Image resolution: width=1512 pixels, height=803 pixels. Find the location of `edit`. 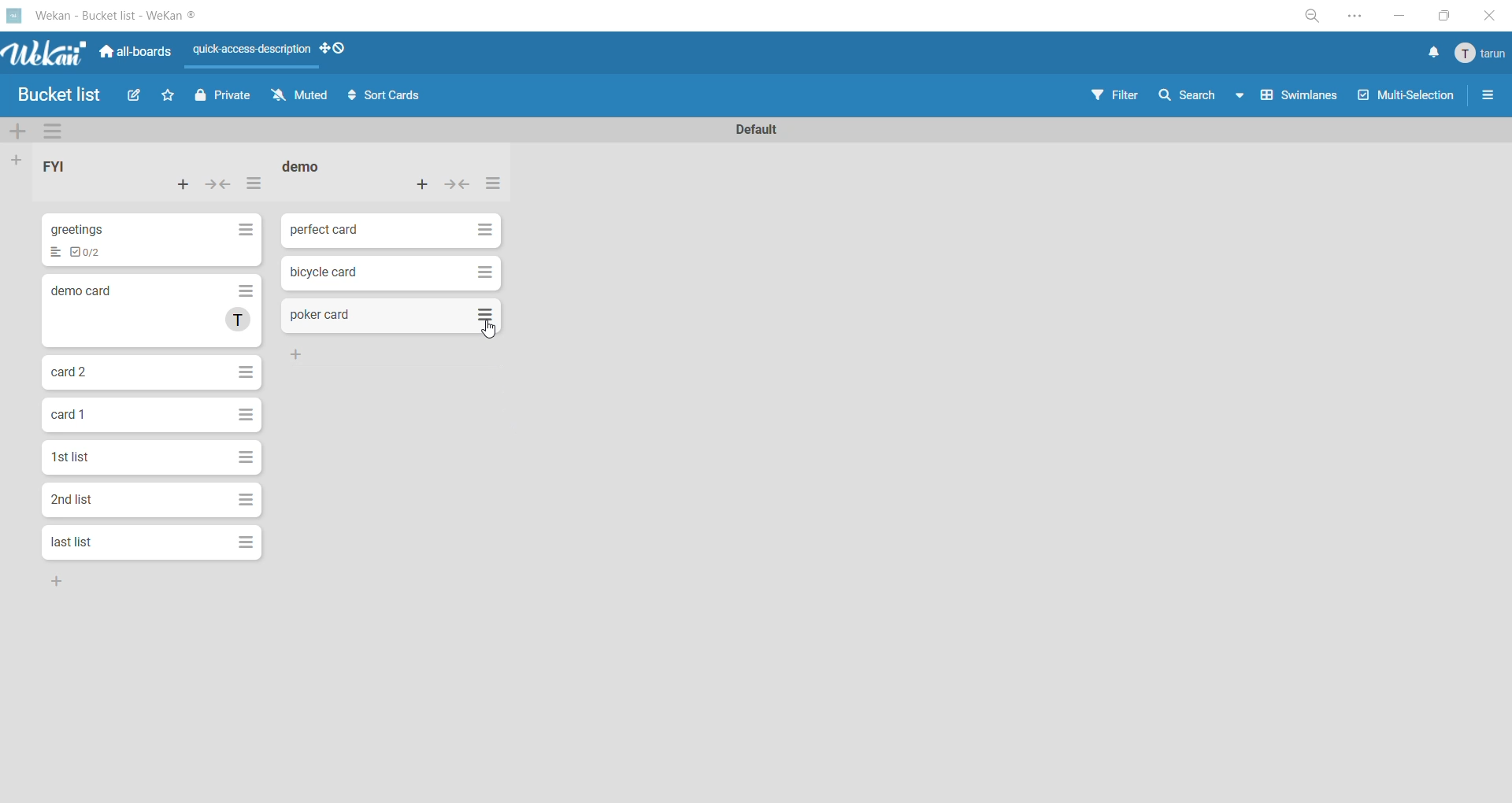

edit is located at coordinates (137, 98).